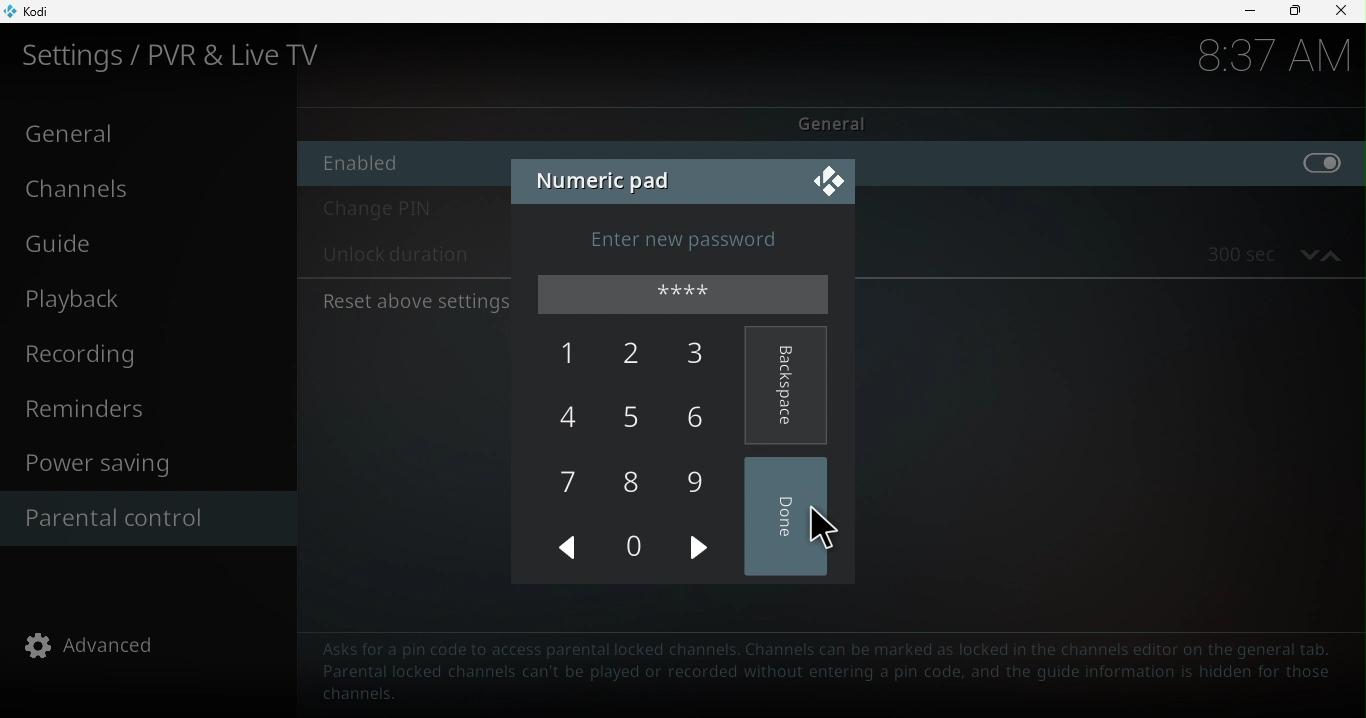 Image resolution: width=1366 pixels, height=718 pixels. Describe the element at coordinates (1120, 165) in the screenshot. I see `enable` at that location.